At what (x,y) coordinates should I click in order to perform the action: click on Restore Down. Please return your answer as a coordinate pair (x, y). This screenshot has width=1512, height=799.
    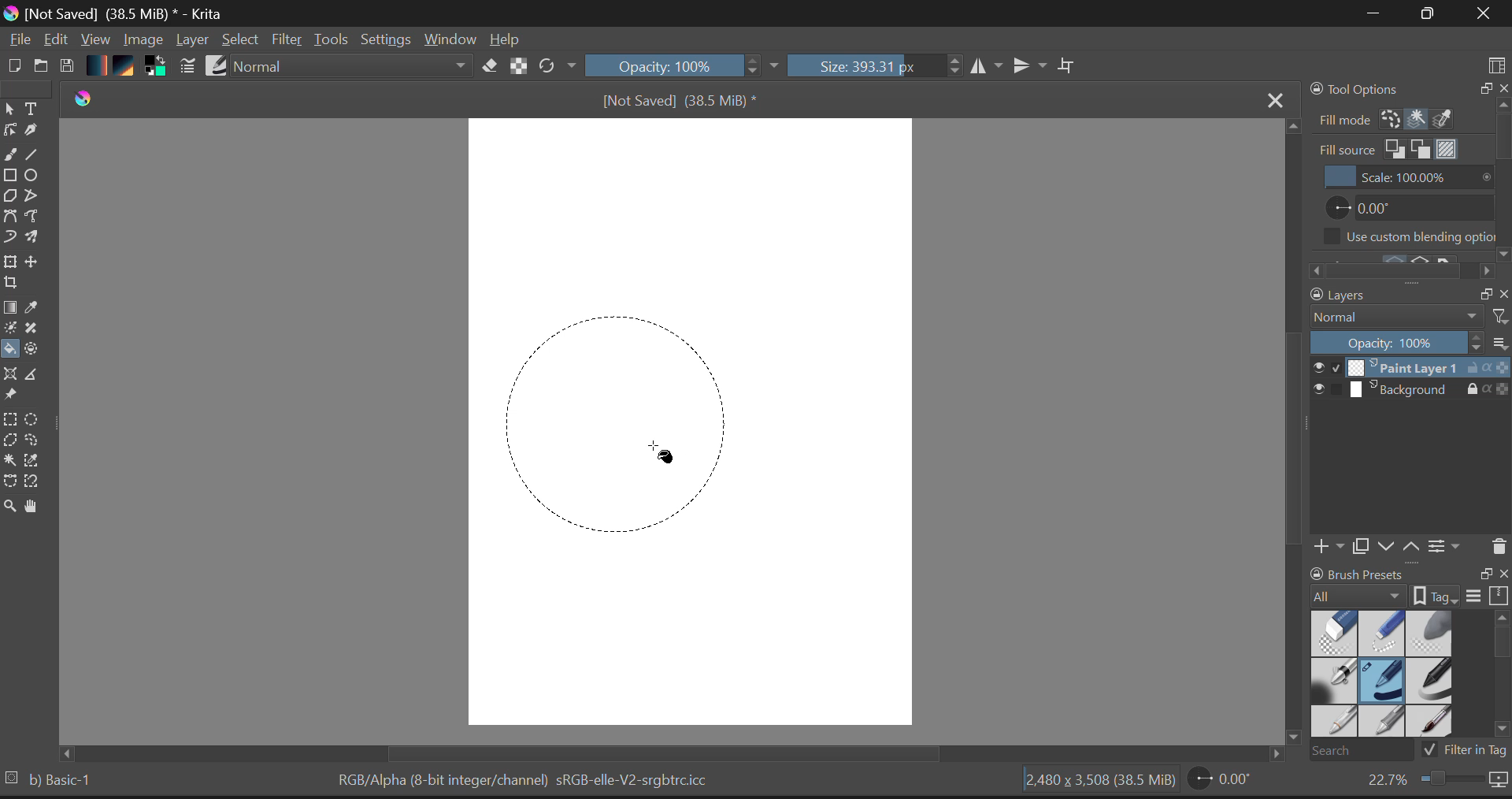
    Looking at the image, I should click on (1371, 14).